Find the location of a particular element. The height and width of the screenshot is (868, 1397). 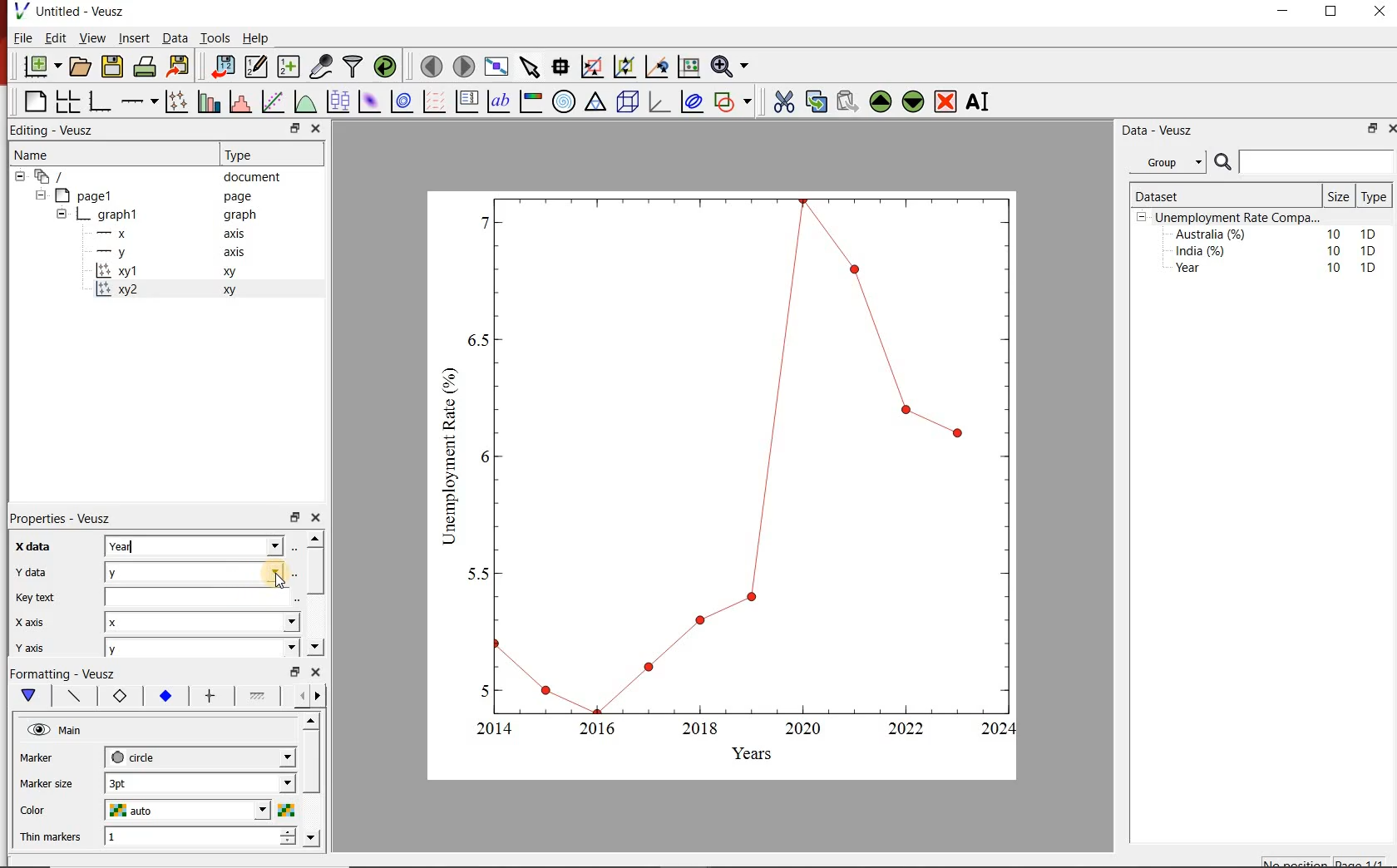

key text field is located at coordinates (200, 596).